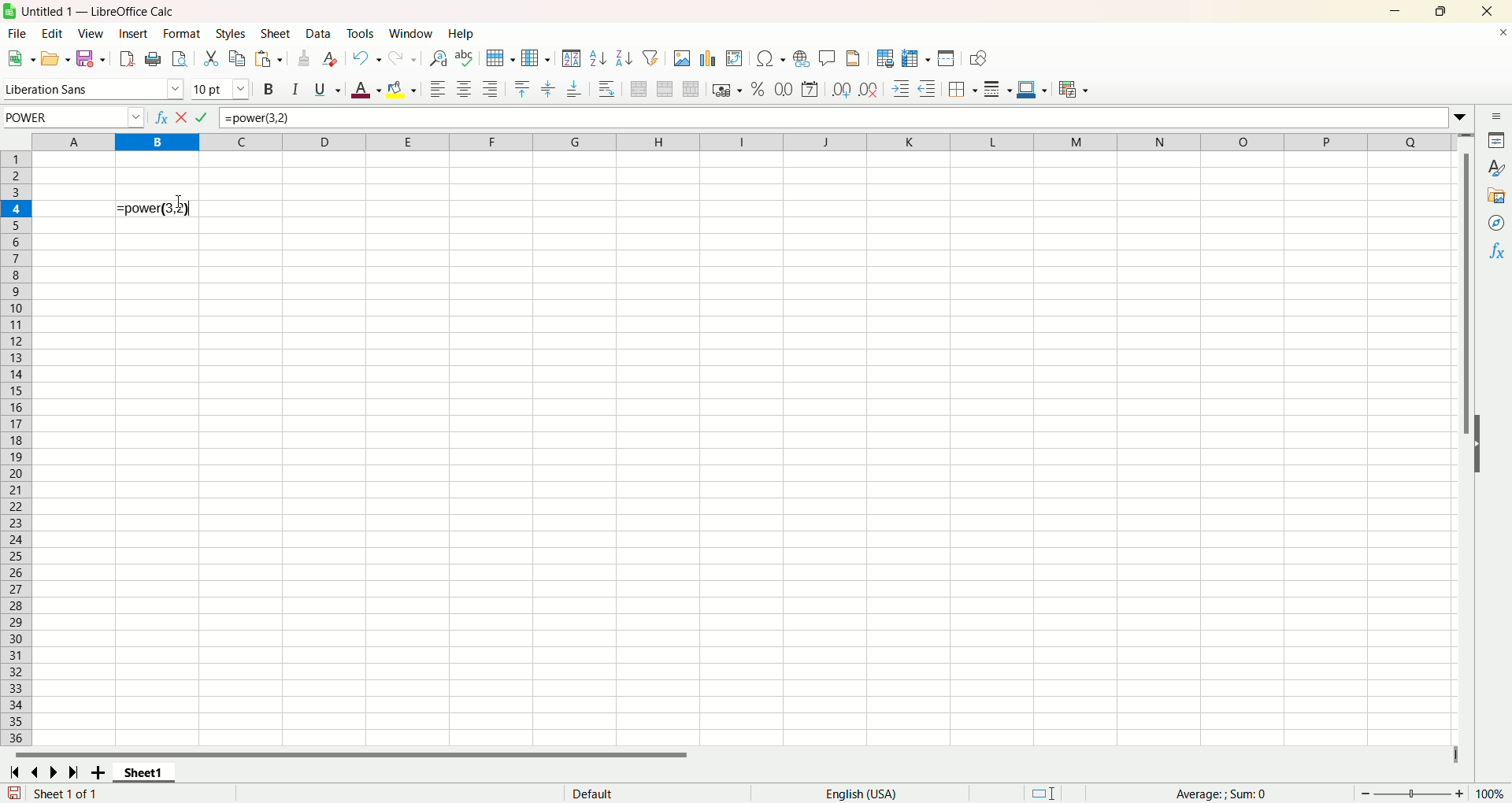  What do you see at coordinates (181, 33) in the screenshot?
I see `format` at bounding box center [181, 33].